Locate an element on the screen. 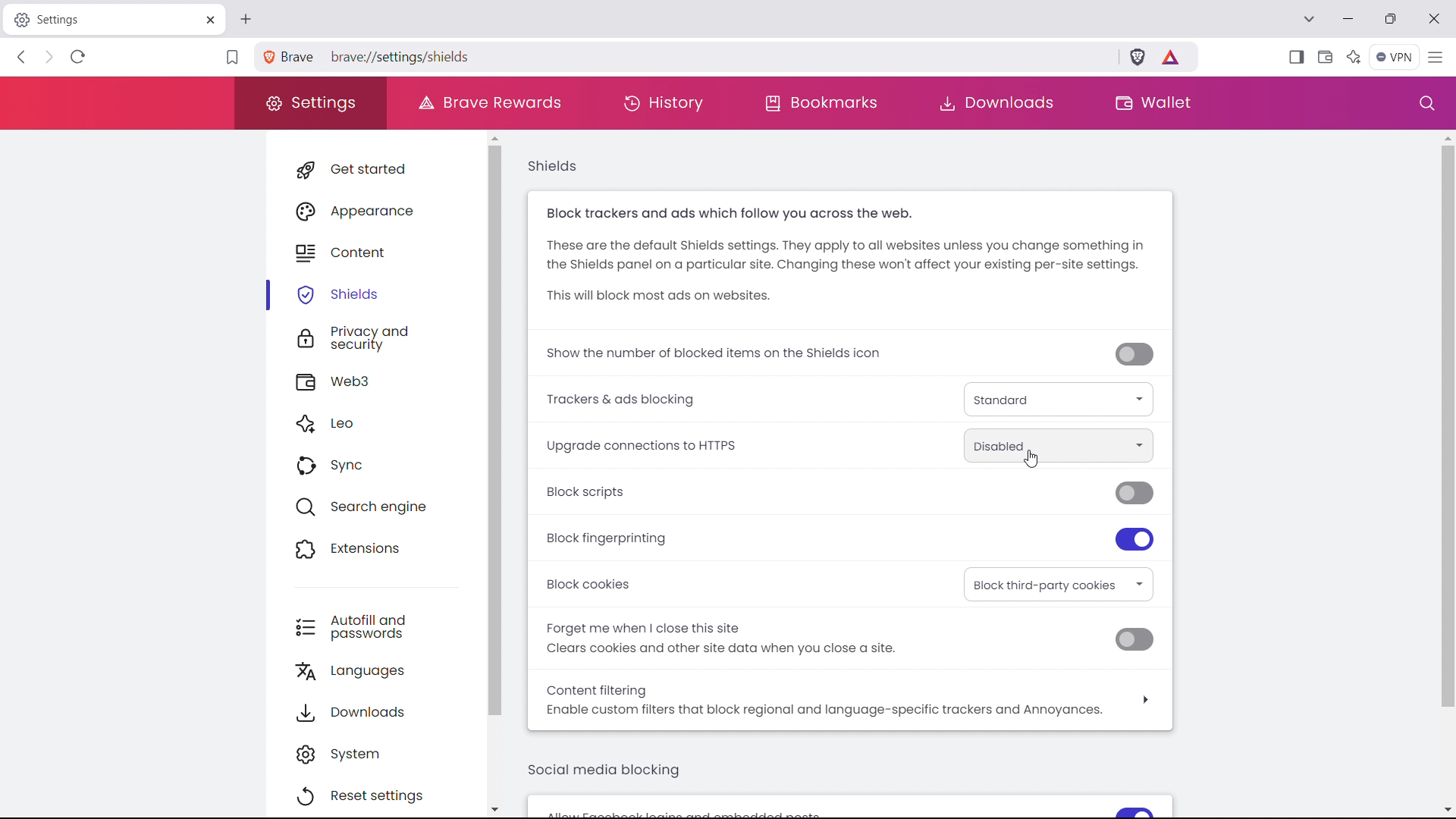 The width and height of the screenshot is (1456, 819). get started is located at coordinates (385, 169).